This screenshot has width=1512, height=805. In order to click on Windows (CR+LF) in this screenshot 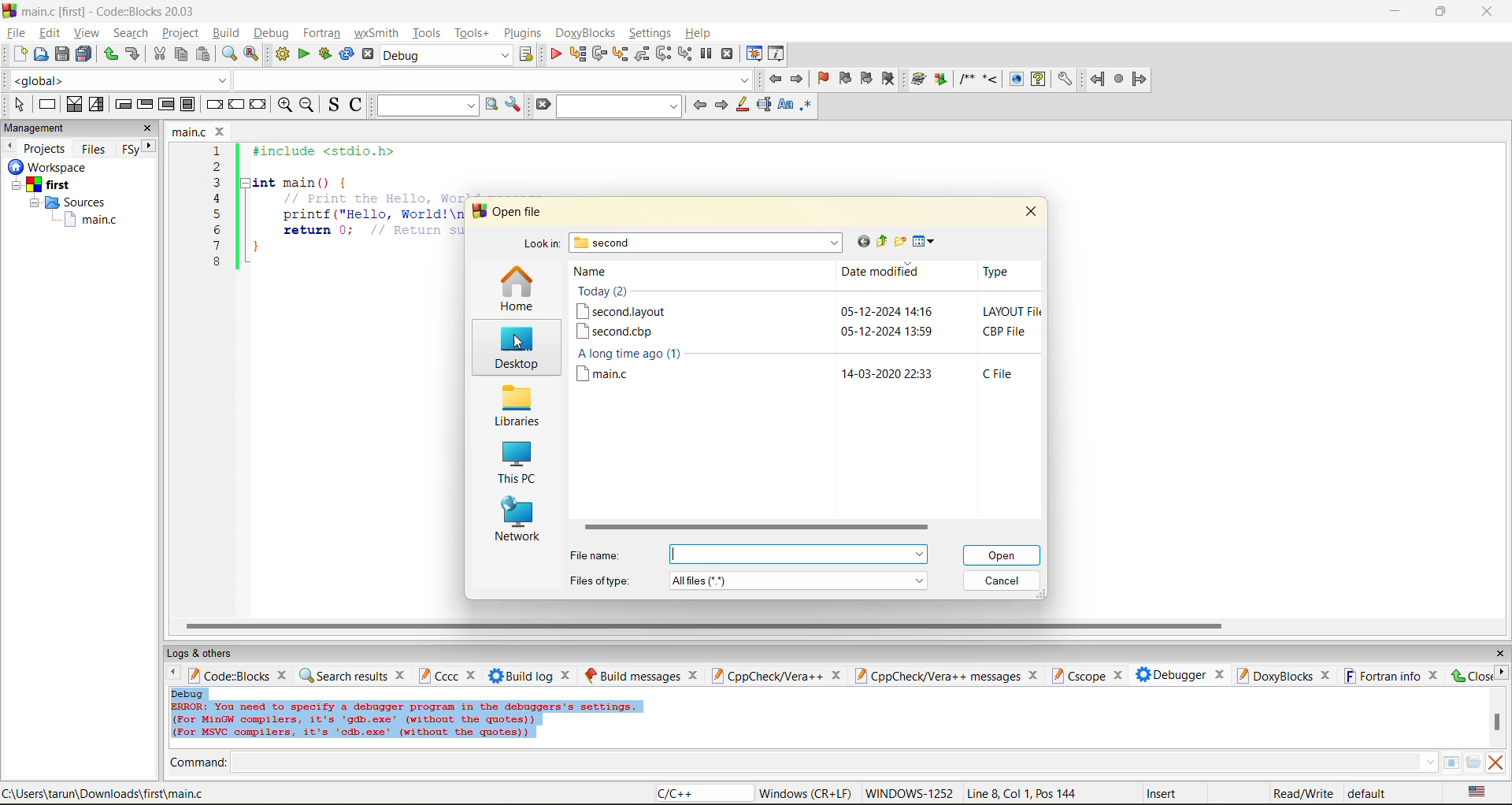, I will do `click(807, 793)`.